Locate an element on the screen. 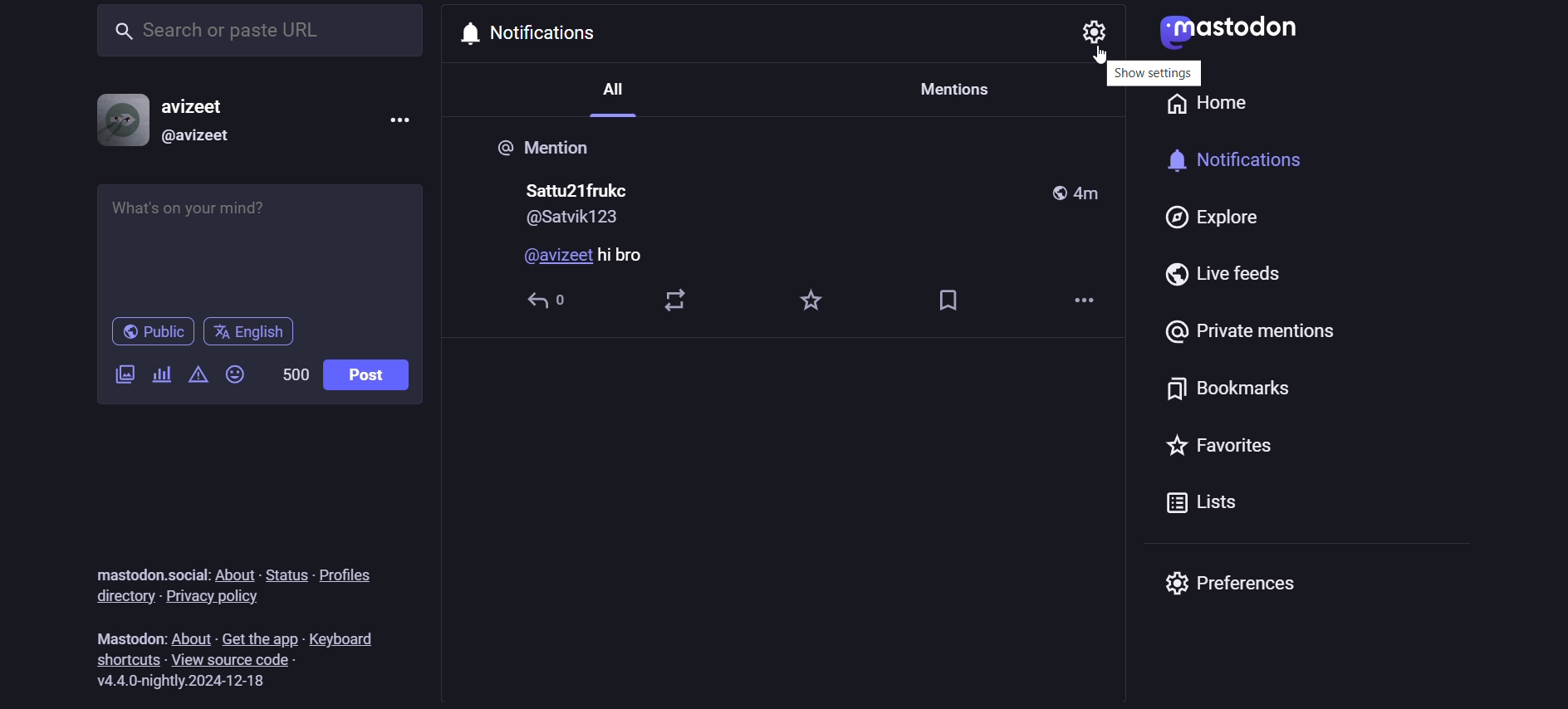 The height and width of the screenshot is (709, 1568). cursor is located at coordinates (1106, 52).